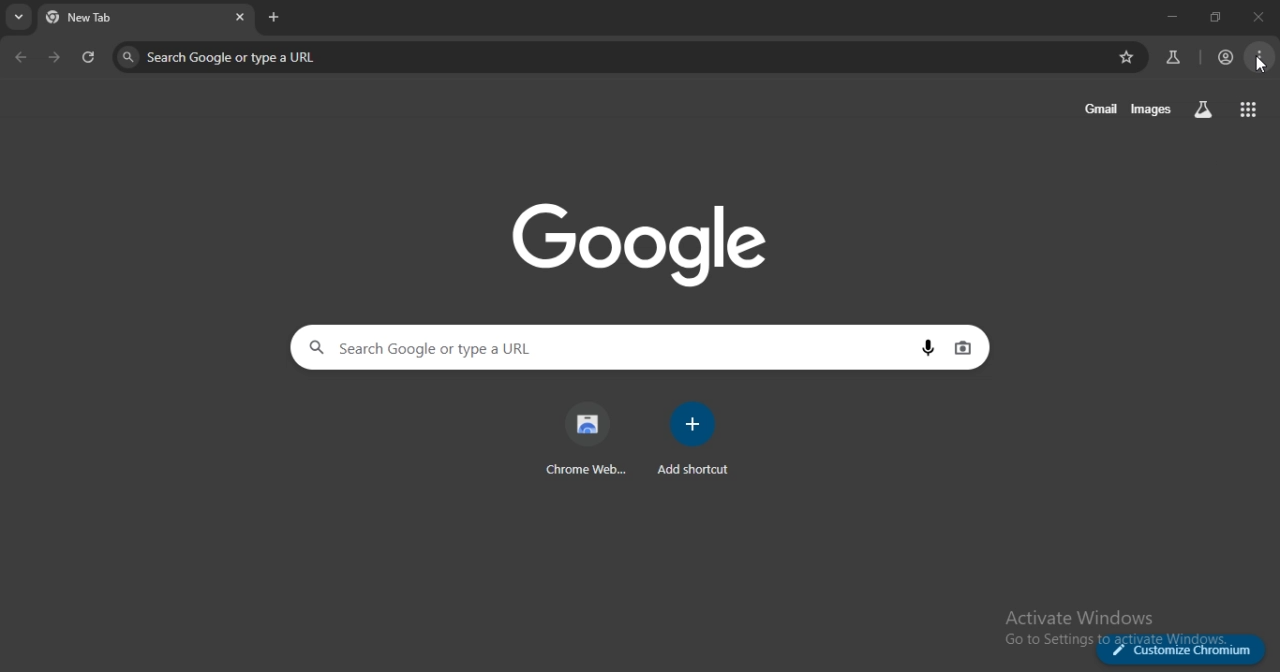 The image size is (1280, 672). Describe the element at coordinates (1263, 60) in the screenshot. I see `menu` at that location.